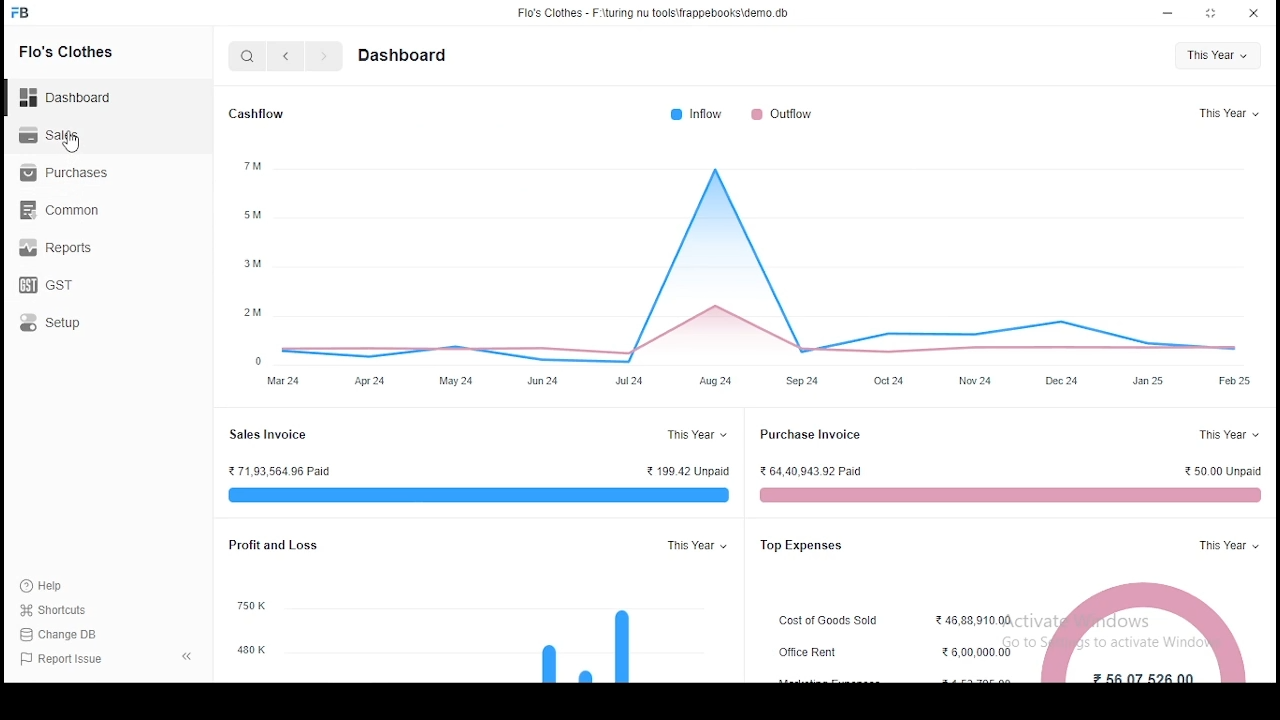  I want to click on 3m, so click(252, 262).